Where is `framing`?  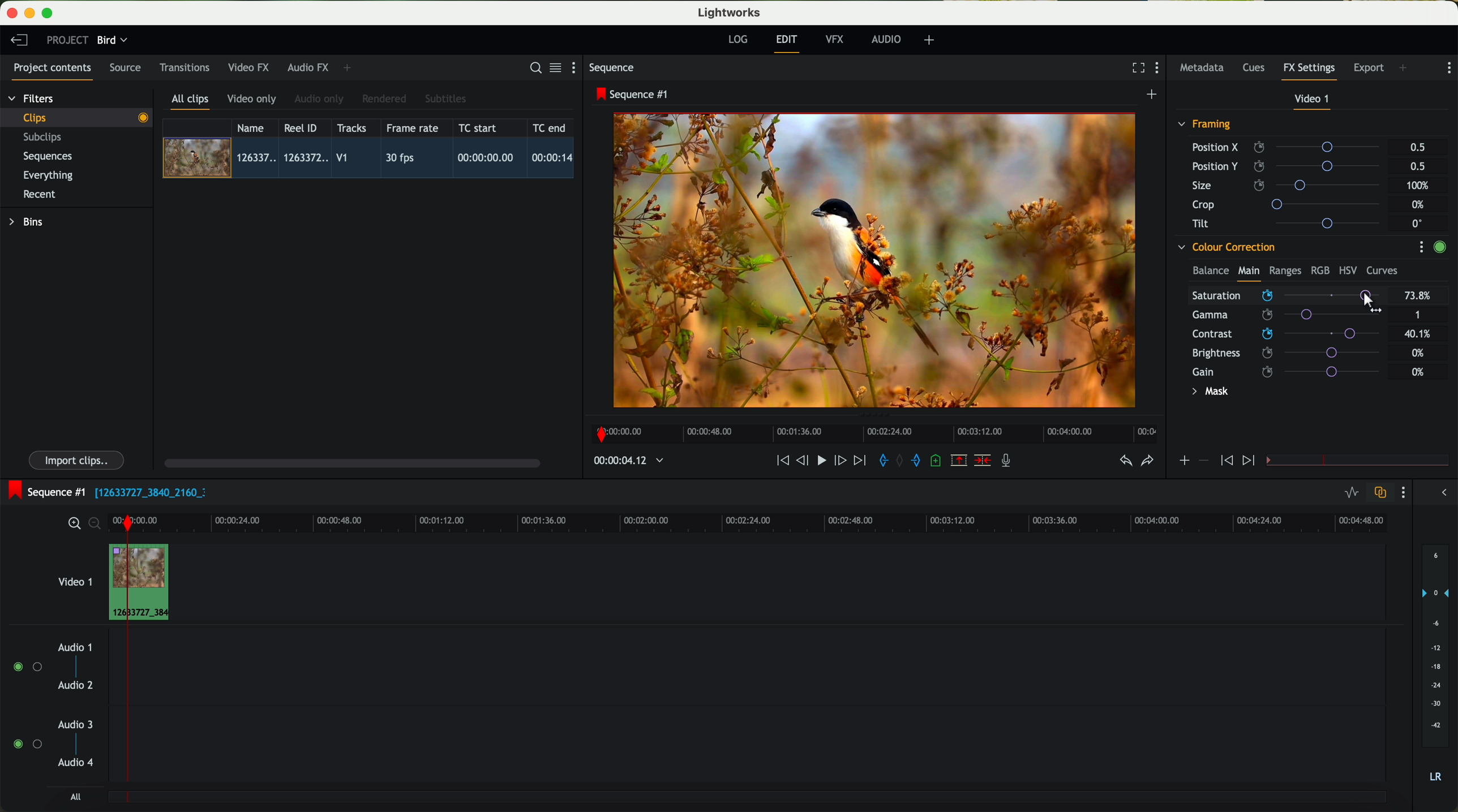
framing is located at coordinates (1205, 126).